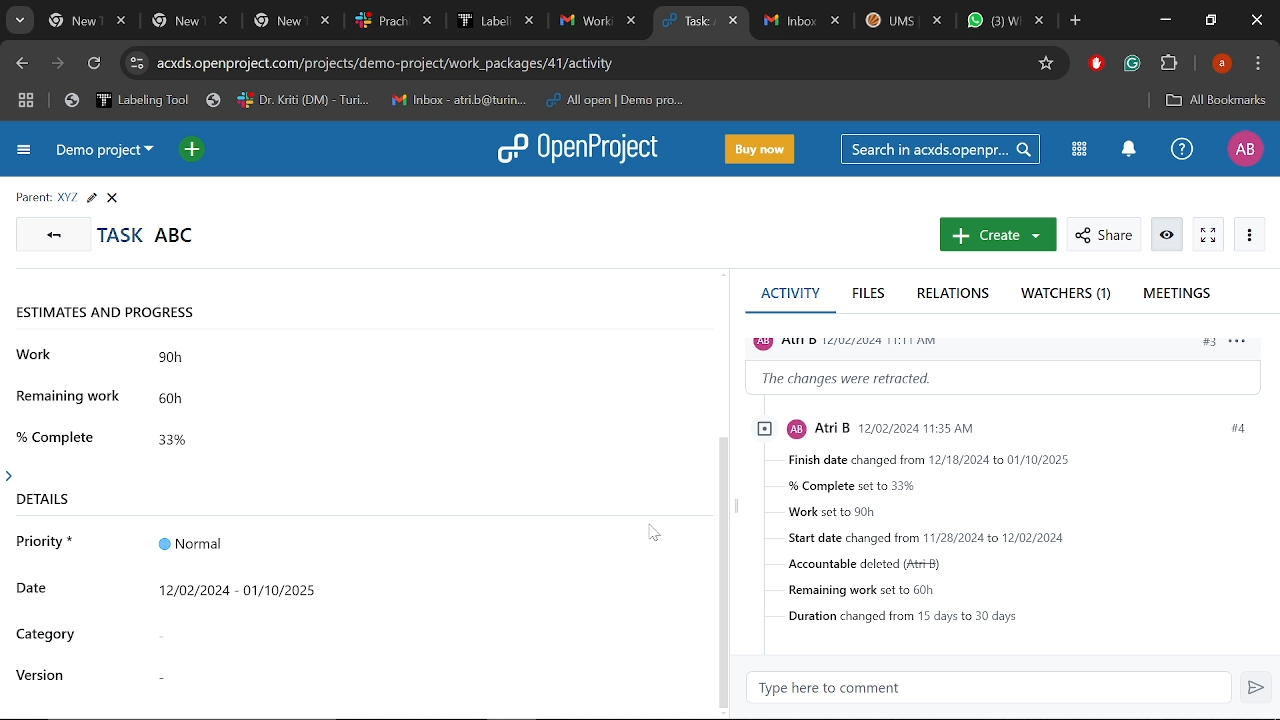 The height and width of the screenshot is (720, 1280). Describe the element at coordinates (1068, 294) in the screenshot. I see `Watchers` at that location.